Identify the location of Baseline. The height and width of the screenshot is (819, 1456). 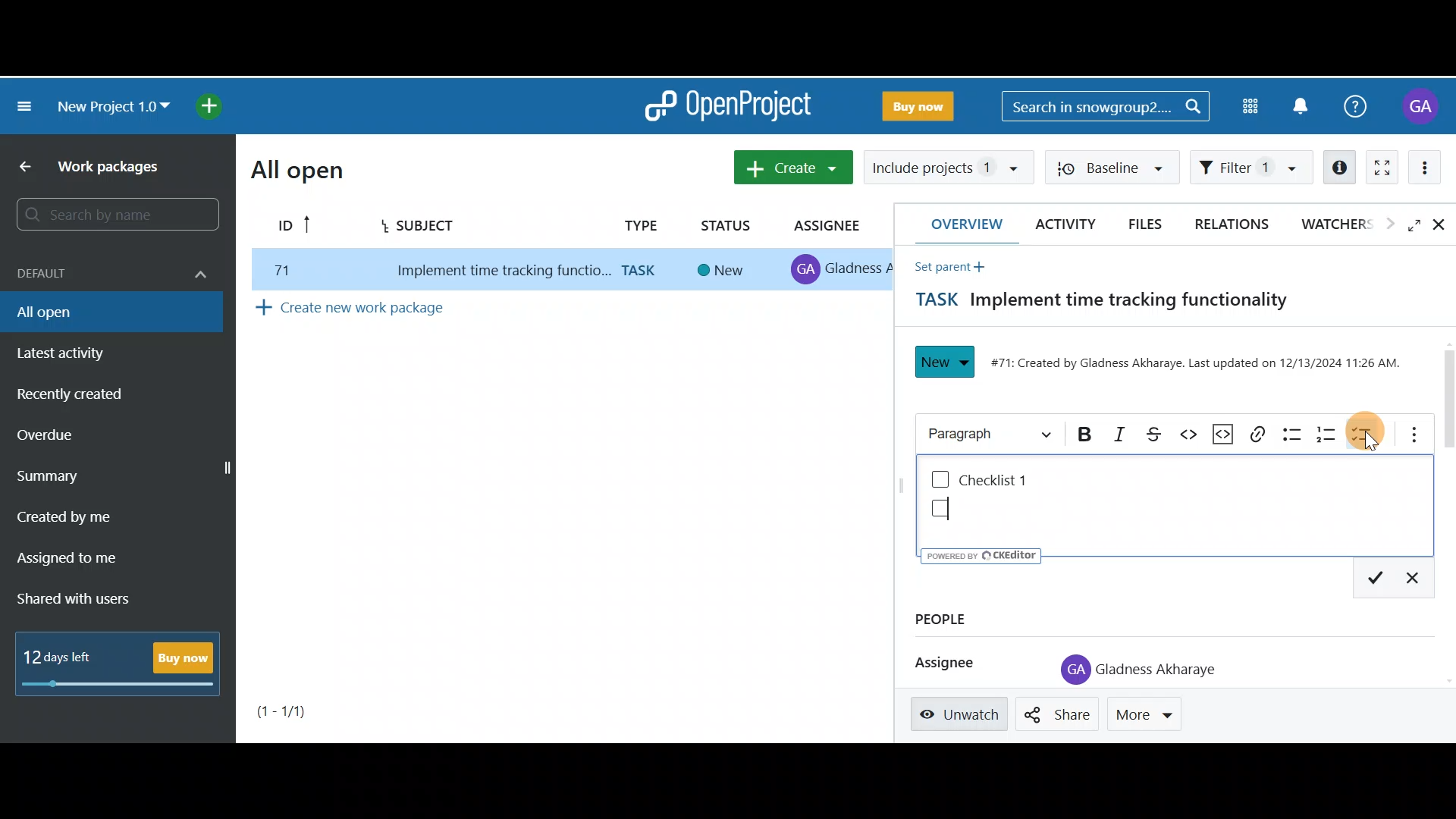
(1119, 168).